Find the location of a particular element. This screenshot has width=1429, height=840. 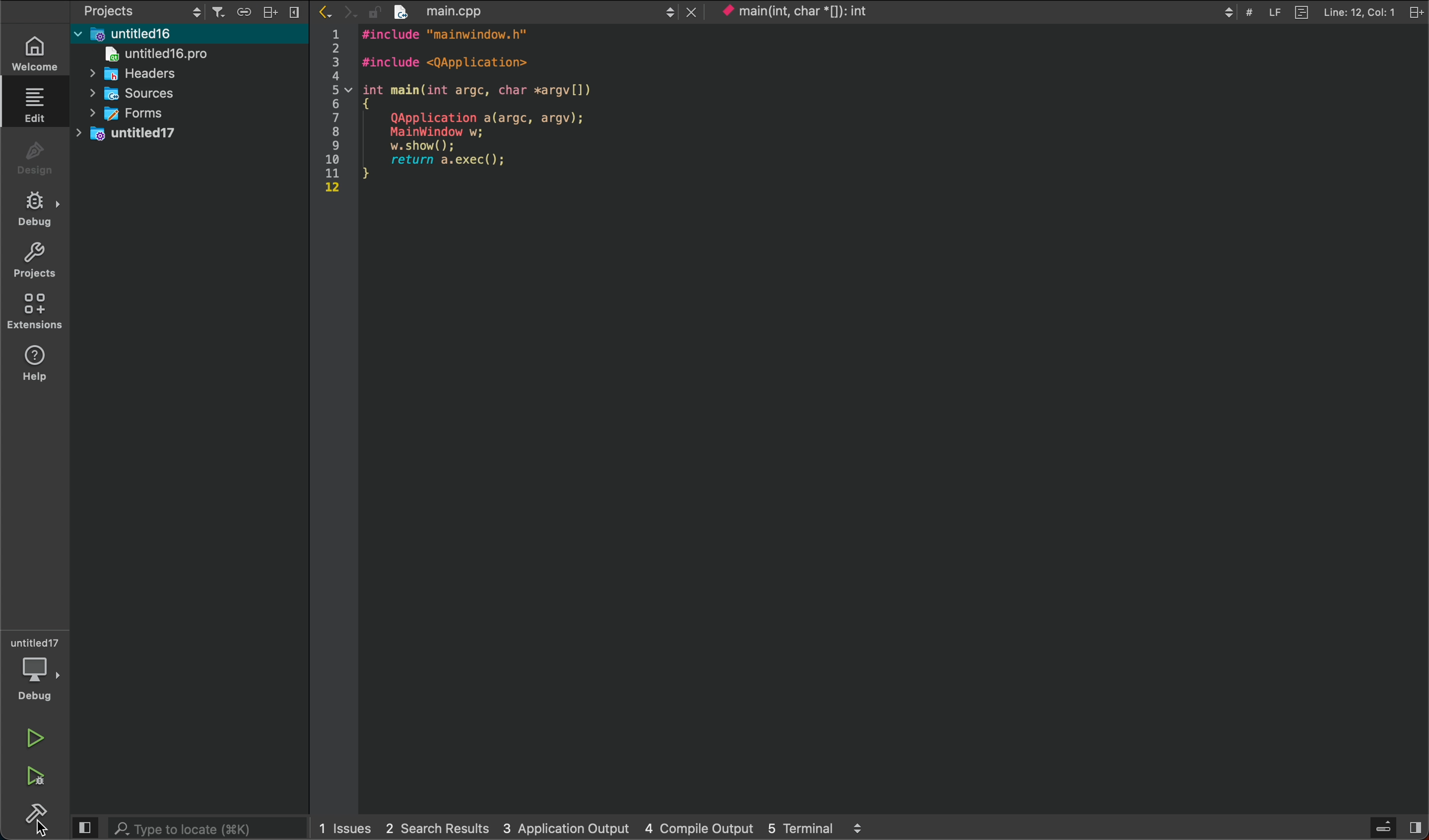

untitled 16 pro is located at coordinates (173, 53).